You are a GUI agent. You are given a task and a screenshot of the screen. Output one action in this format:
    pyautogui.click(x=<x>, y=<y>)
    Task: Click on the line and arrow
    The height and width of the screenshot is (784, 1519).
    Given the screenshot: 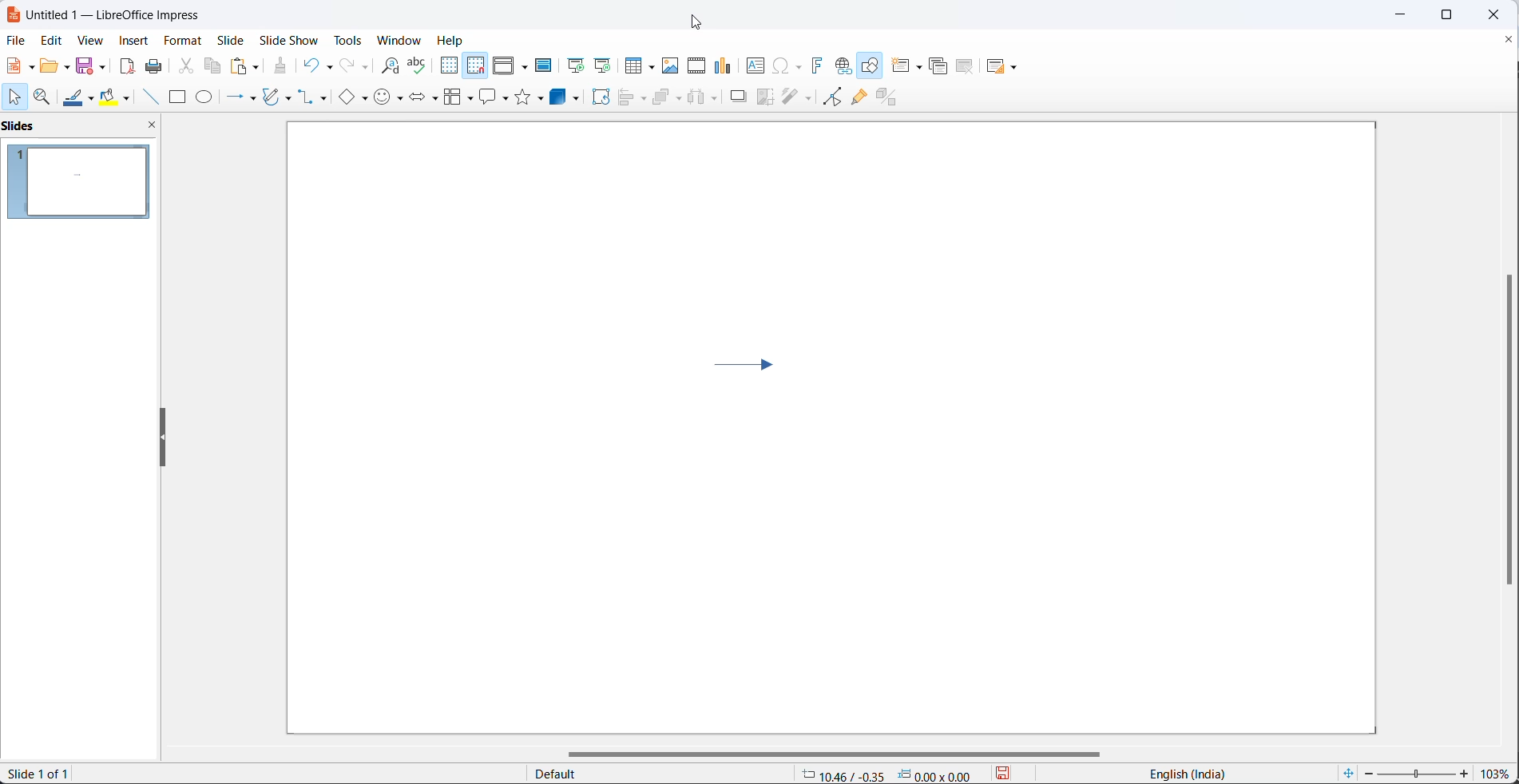 What is the action you would take?
    pyautogui.click(x=232, y=98)
    